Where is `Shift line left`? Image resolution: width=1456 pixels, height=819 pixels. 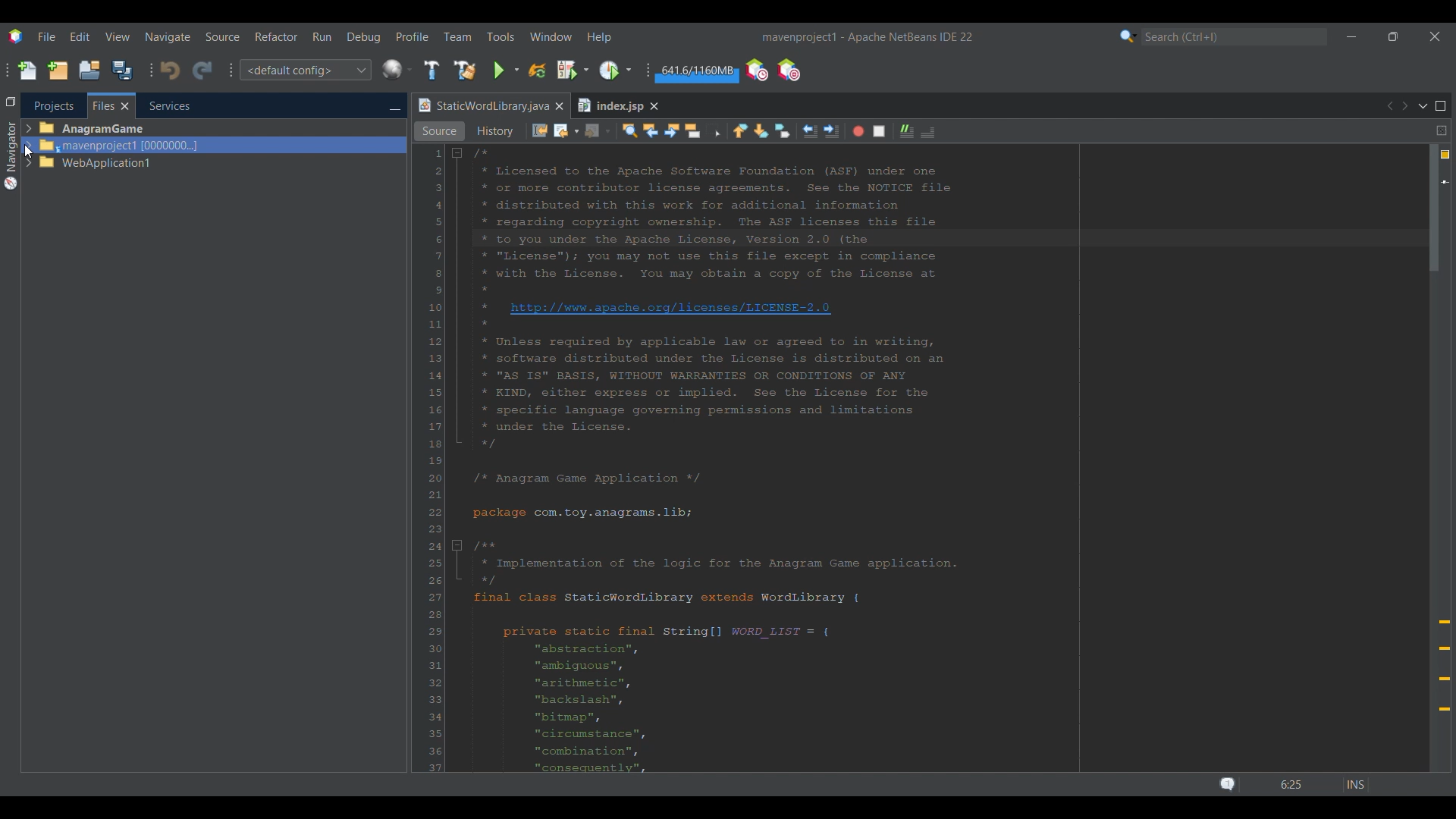 Shift line left is located at coordinates (811, 131).